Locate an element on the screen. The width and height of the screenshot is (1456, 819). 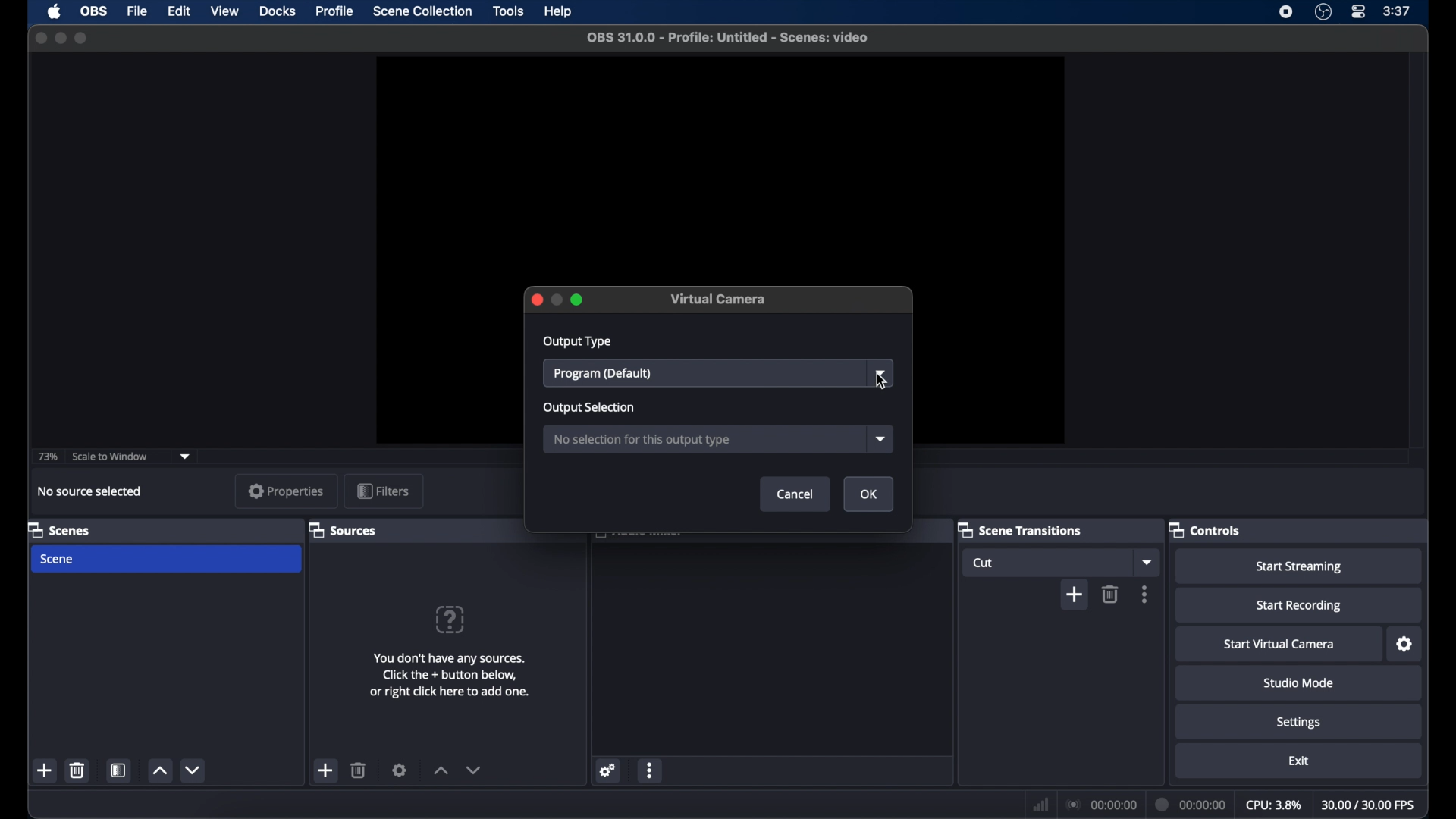
maximize is located at coordinates (83, 38).